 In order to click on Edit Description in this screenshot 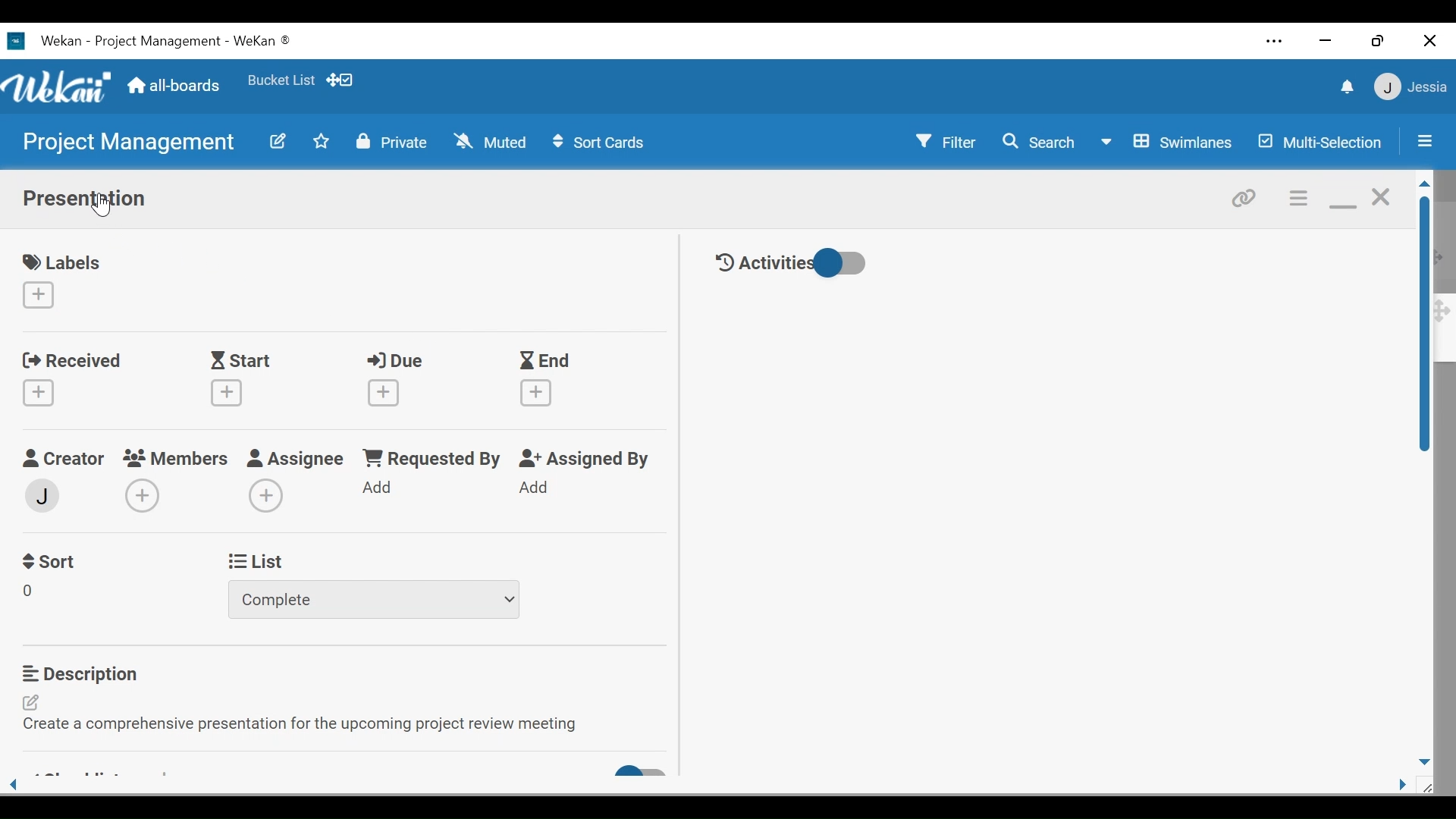, I will do `click(309, 715)`.